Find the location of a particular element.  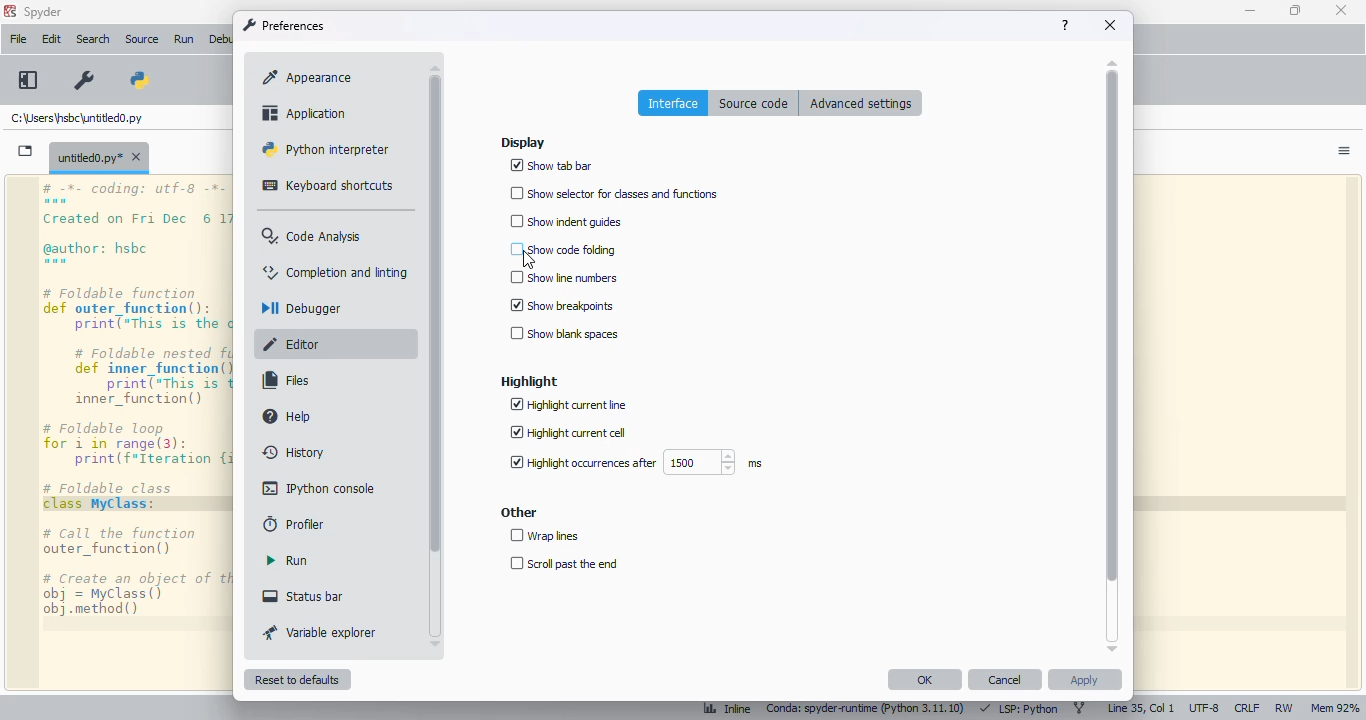

highlight occurrences after 1500 ms is located at coordinates (635, 462).